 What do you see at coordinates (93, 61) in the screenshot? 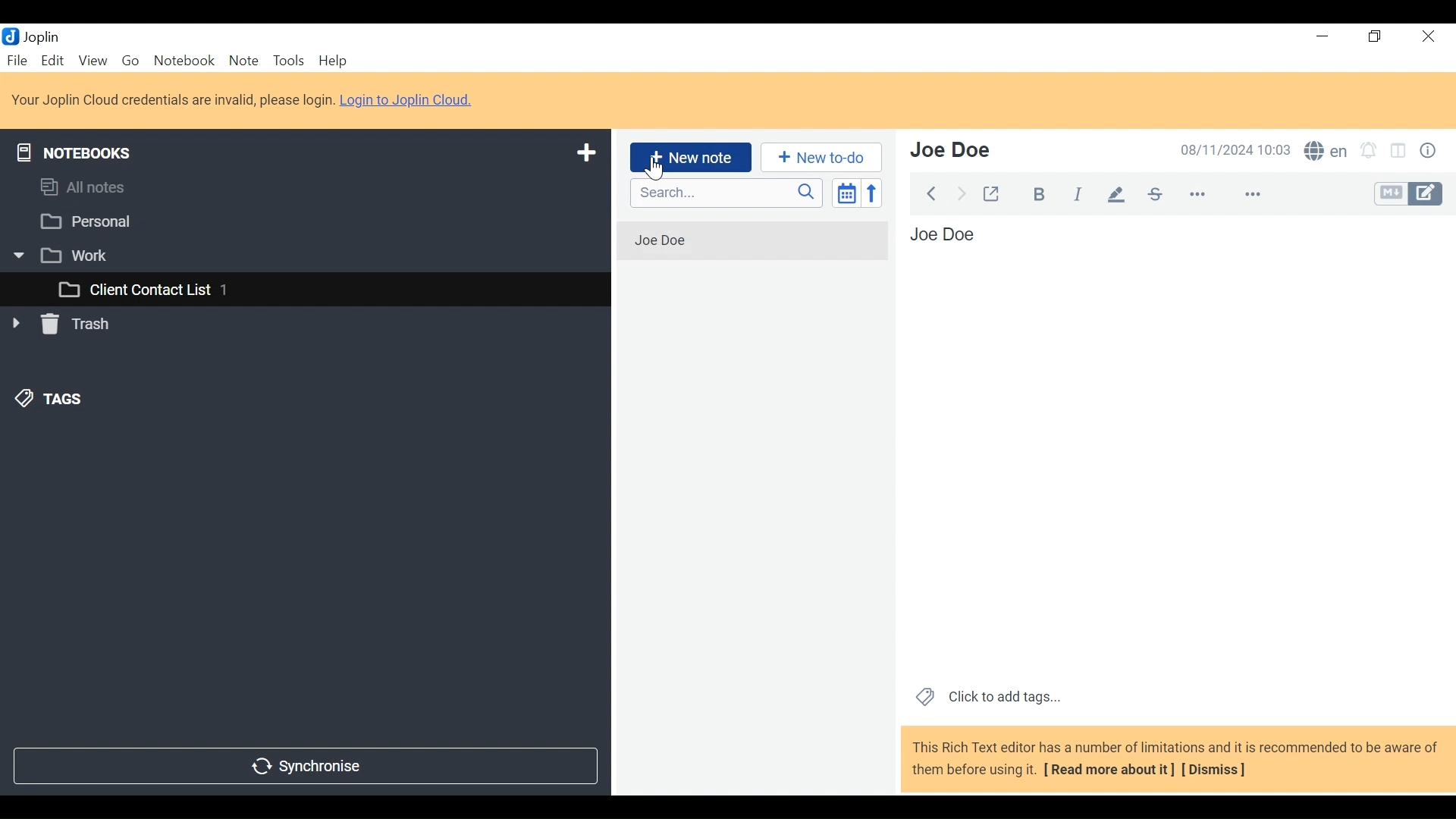
I see `View` at bounding box center [93, 61].